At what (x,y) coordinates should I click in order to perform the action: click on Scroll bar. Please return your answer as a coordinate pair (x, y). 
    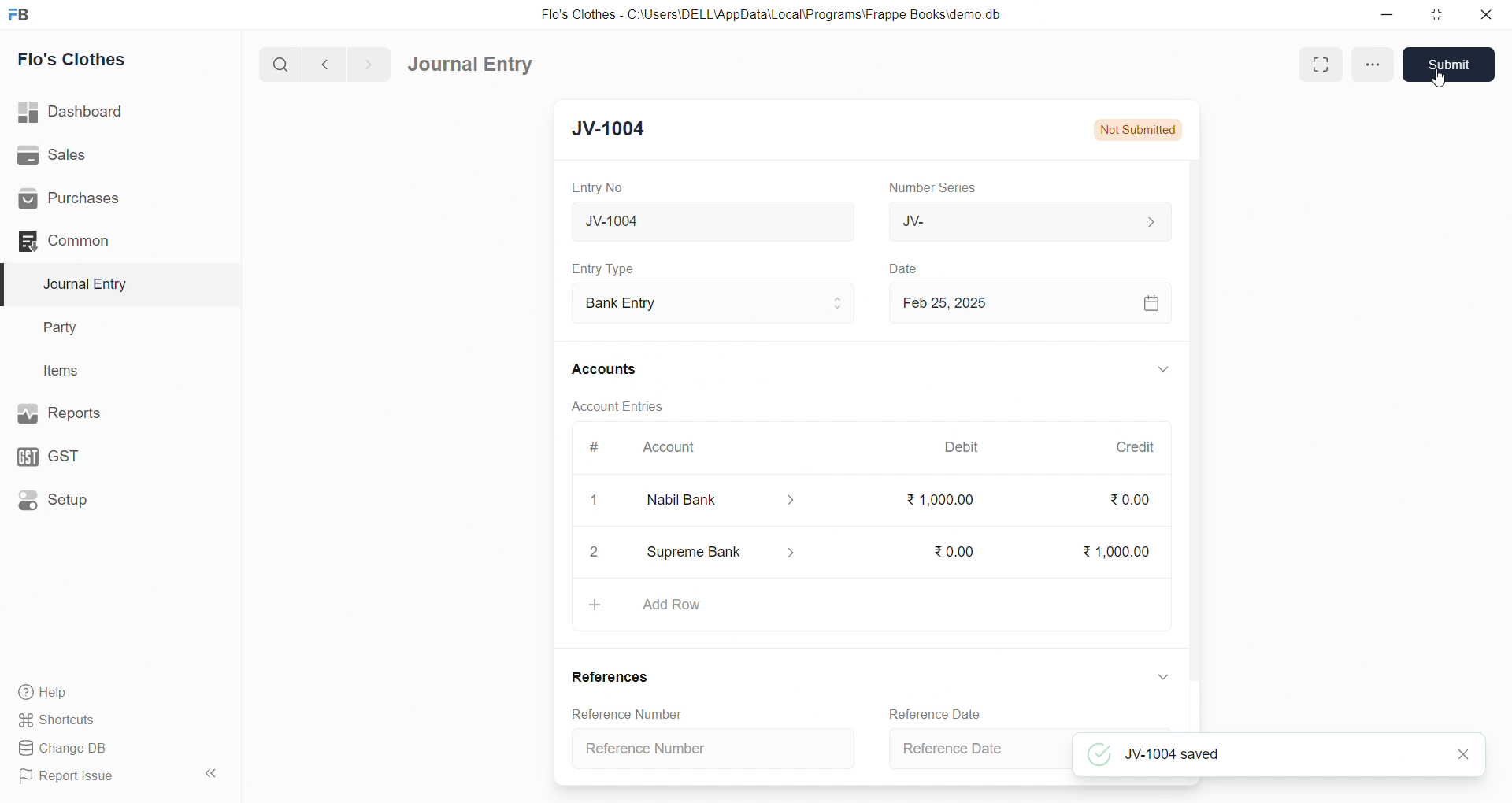
    Looking at the image, I should click on (1191, 444).